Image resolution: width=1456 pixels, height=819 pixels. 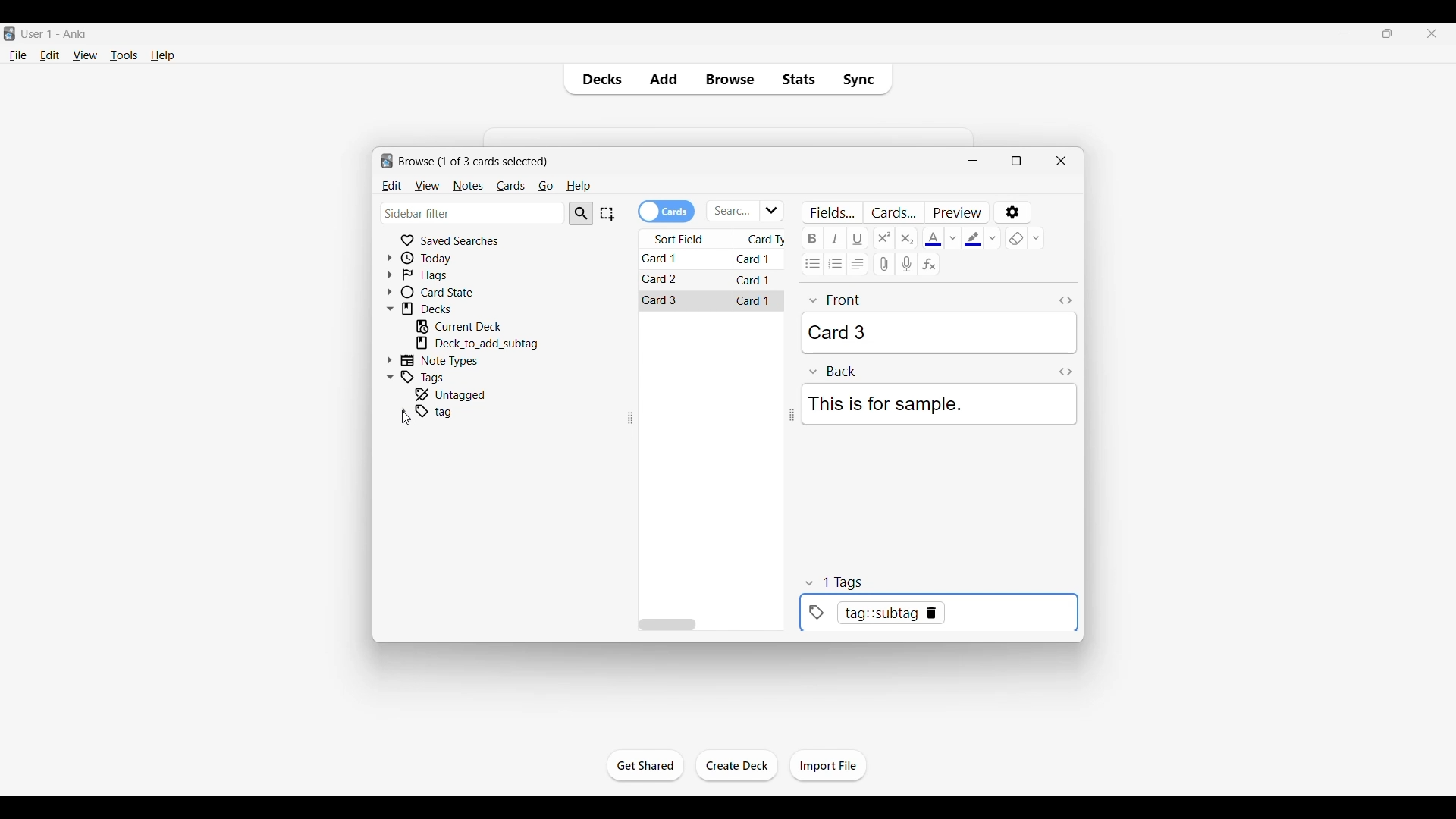 What do you see at coordinates (858, 238) in the screenshot?
I see `Underline text` at bounding box center [858, 238].